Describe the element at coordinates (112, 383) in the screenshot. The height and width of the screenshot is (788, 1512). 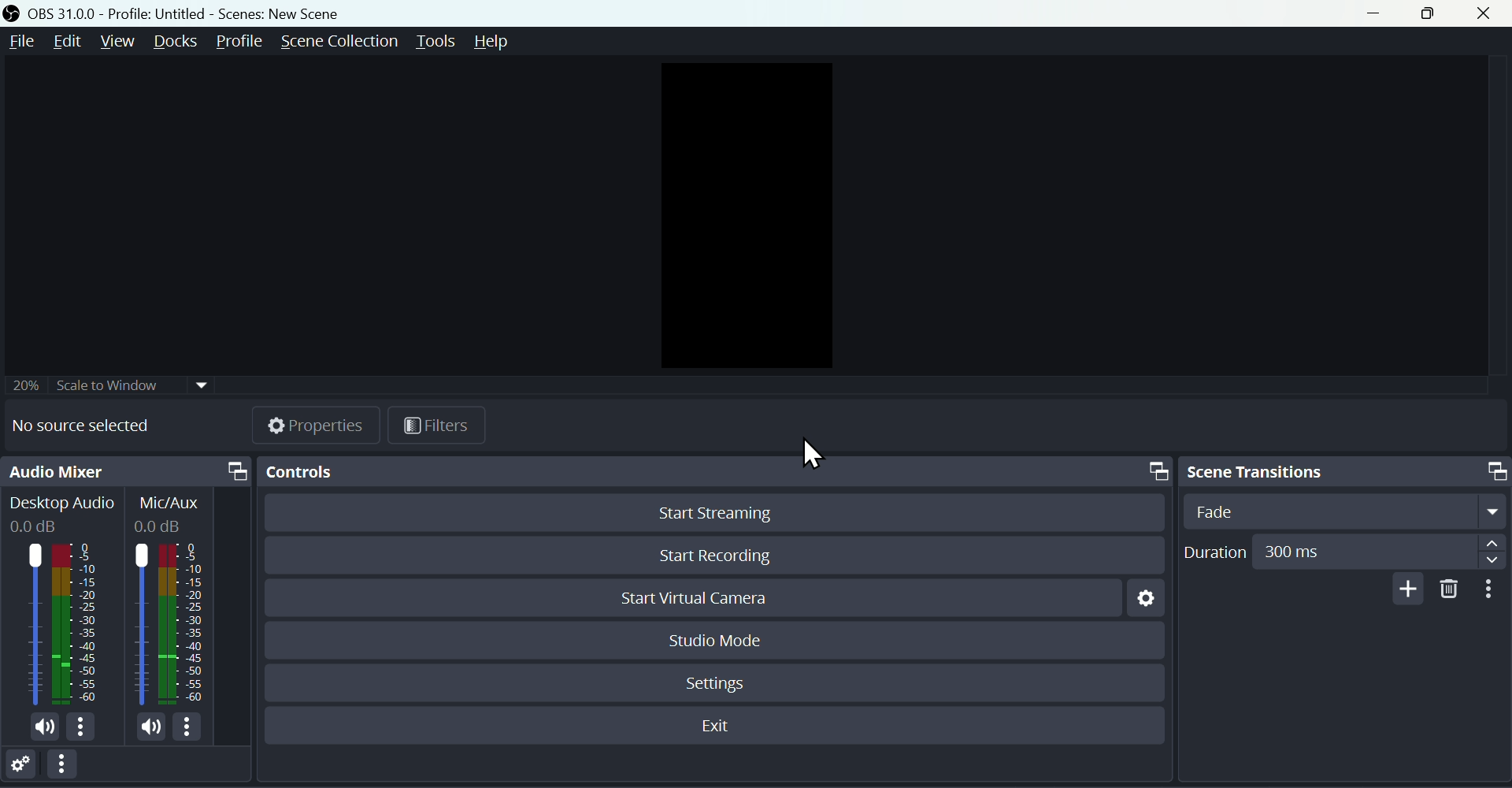
I see `Scale to window` at that location.